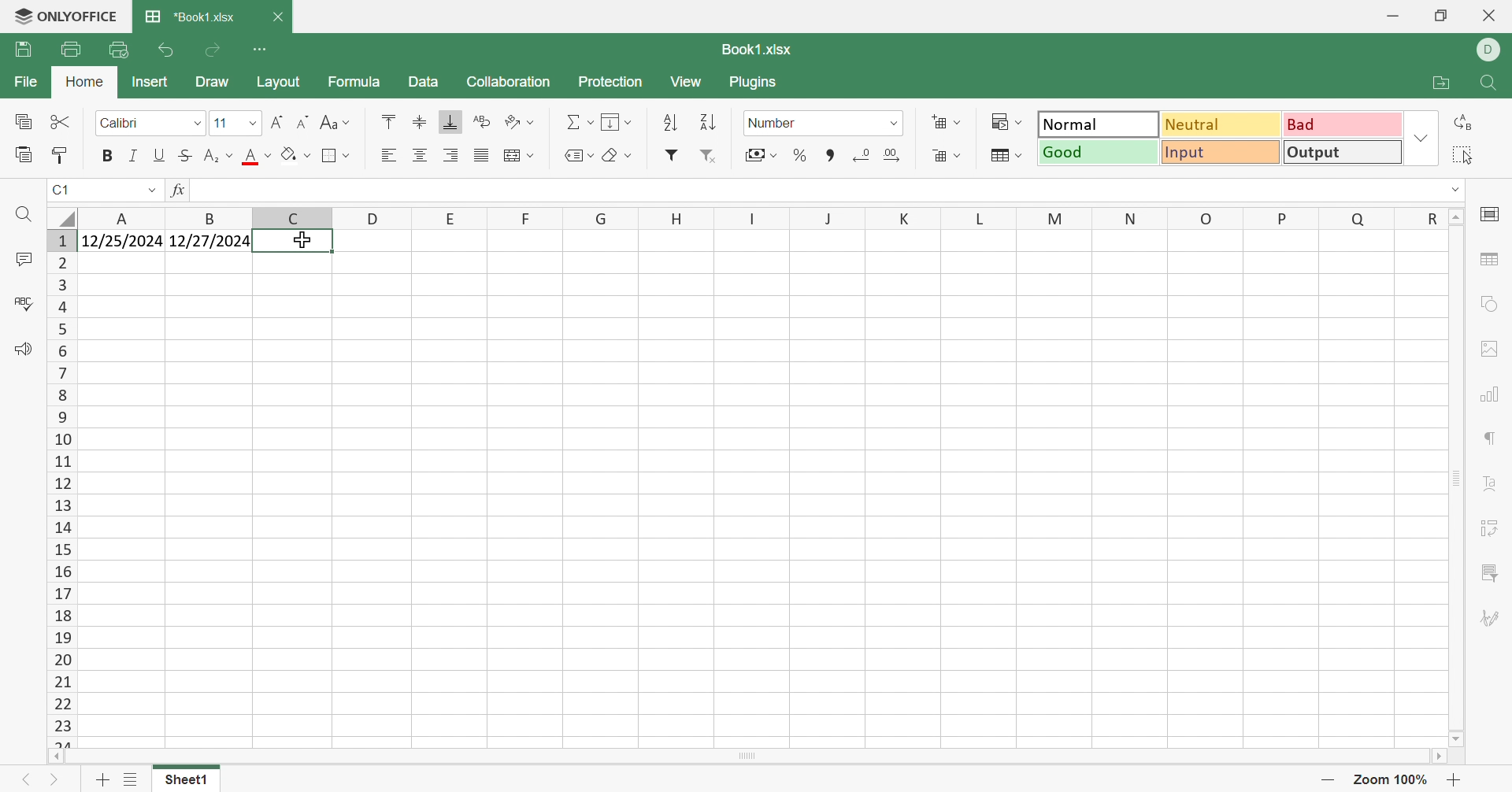  Describe the element at coordinates (1435, 757) in the screenshot. I see `Scroll Right` at that location.